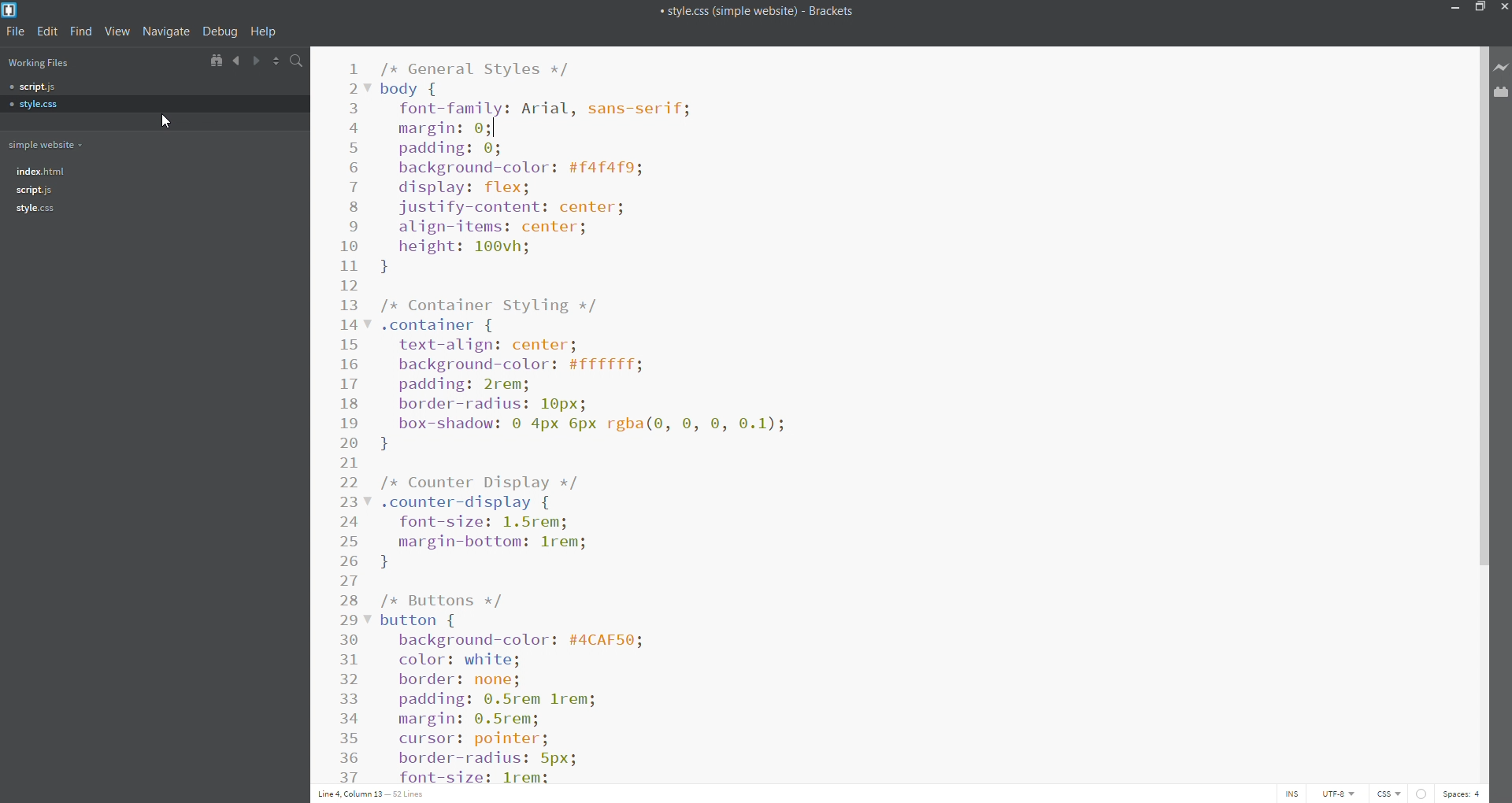 The height and width of the screenshot is (803, 1512). I want to click on working files, so click(46, 64).